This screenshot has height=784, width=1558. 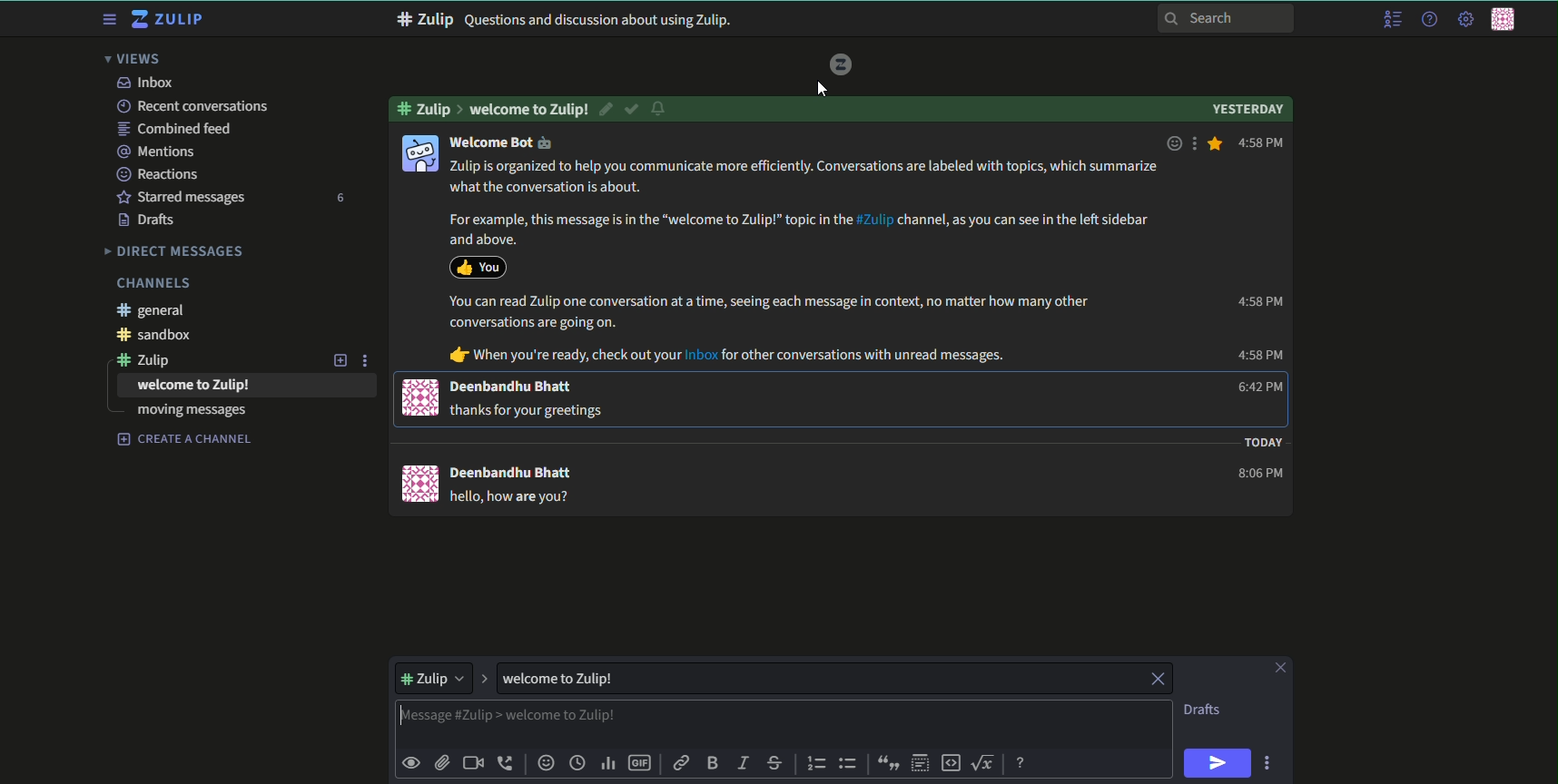 I want to click on poll, so click(x=610, y=765).